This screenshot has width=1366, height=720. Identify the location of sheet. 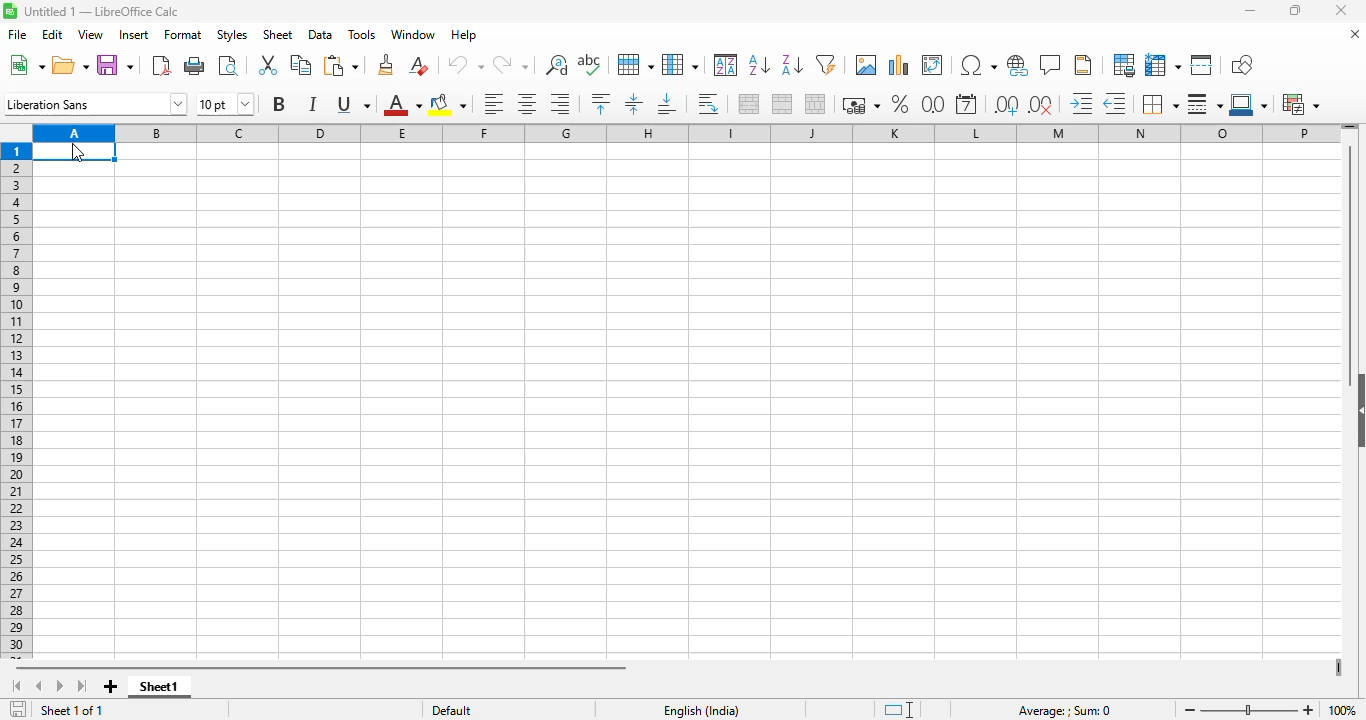
(278, 35).